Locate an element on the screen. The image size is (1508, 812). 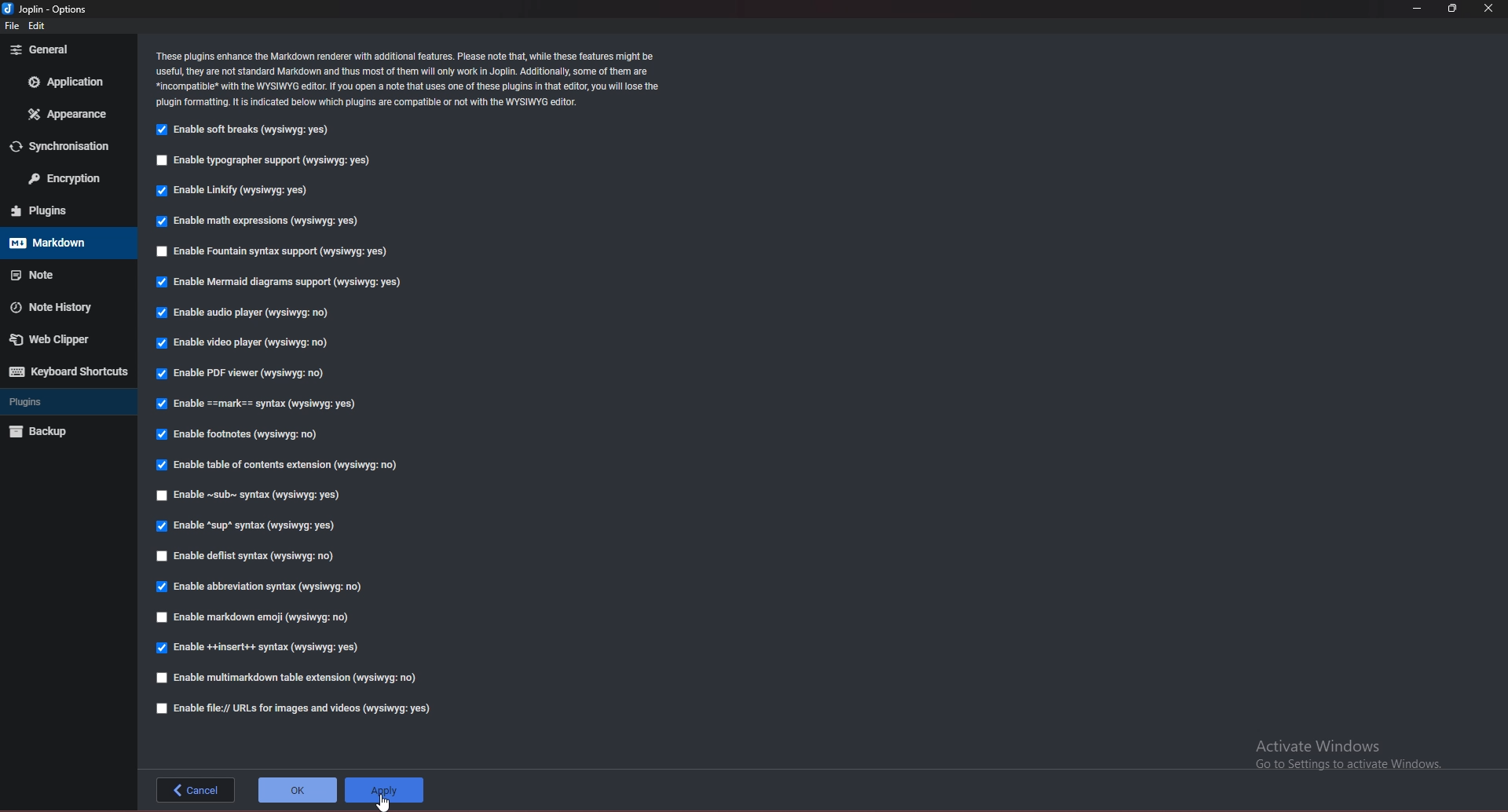
backup is located at coordinates (63, 432).